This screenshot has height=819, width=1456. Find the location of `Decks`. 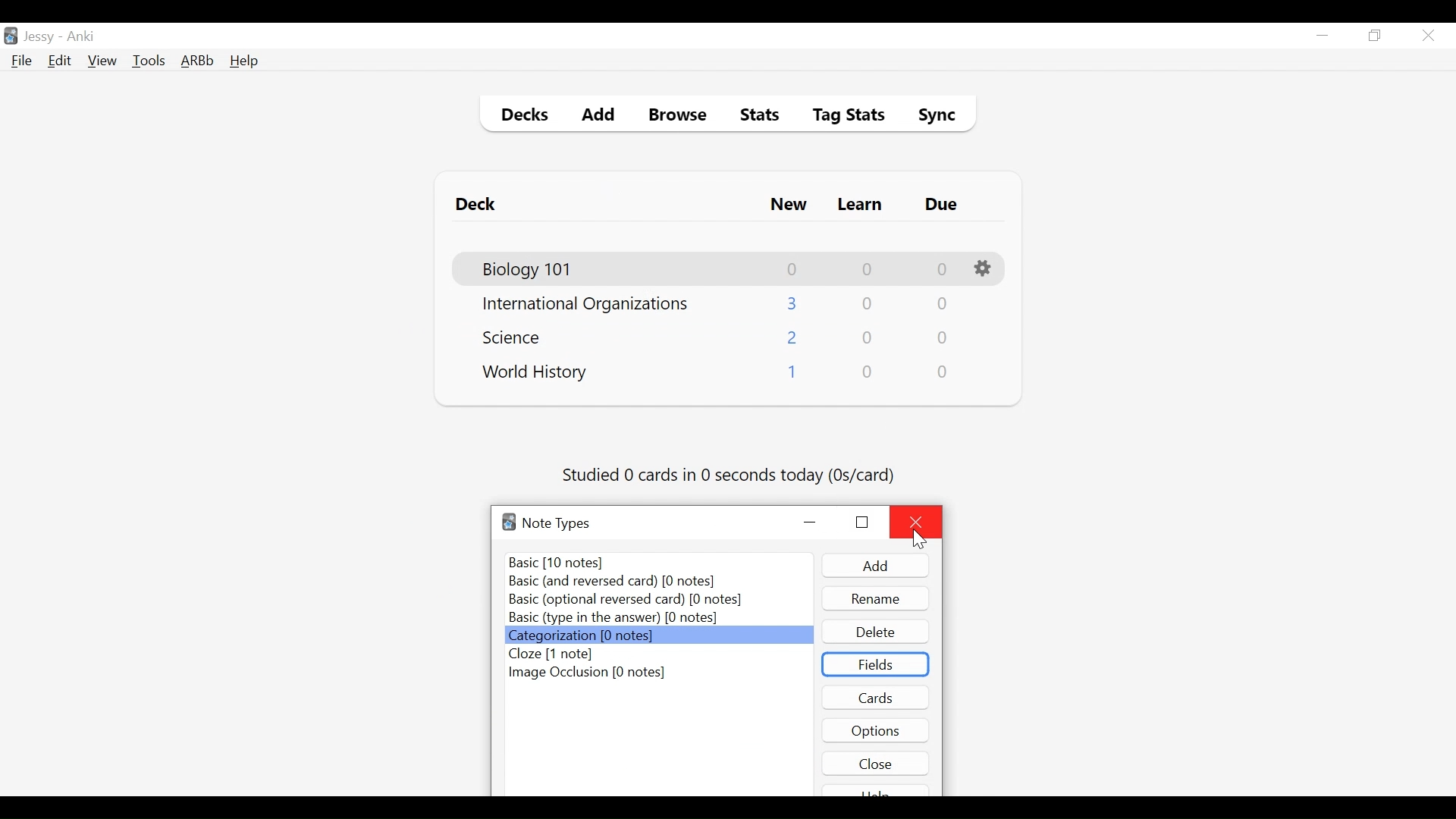

Decks is located at coordinates (521, 117).